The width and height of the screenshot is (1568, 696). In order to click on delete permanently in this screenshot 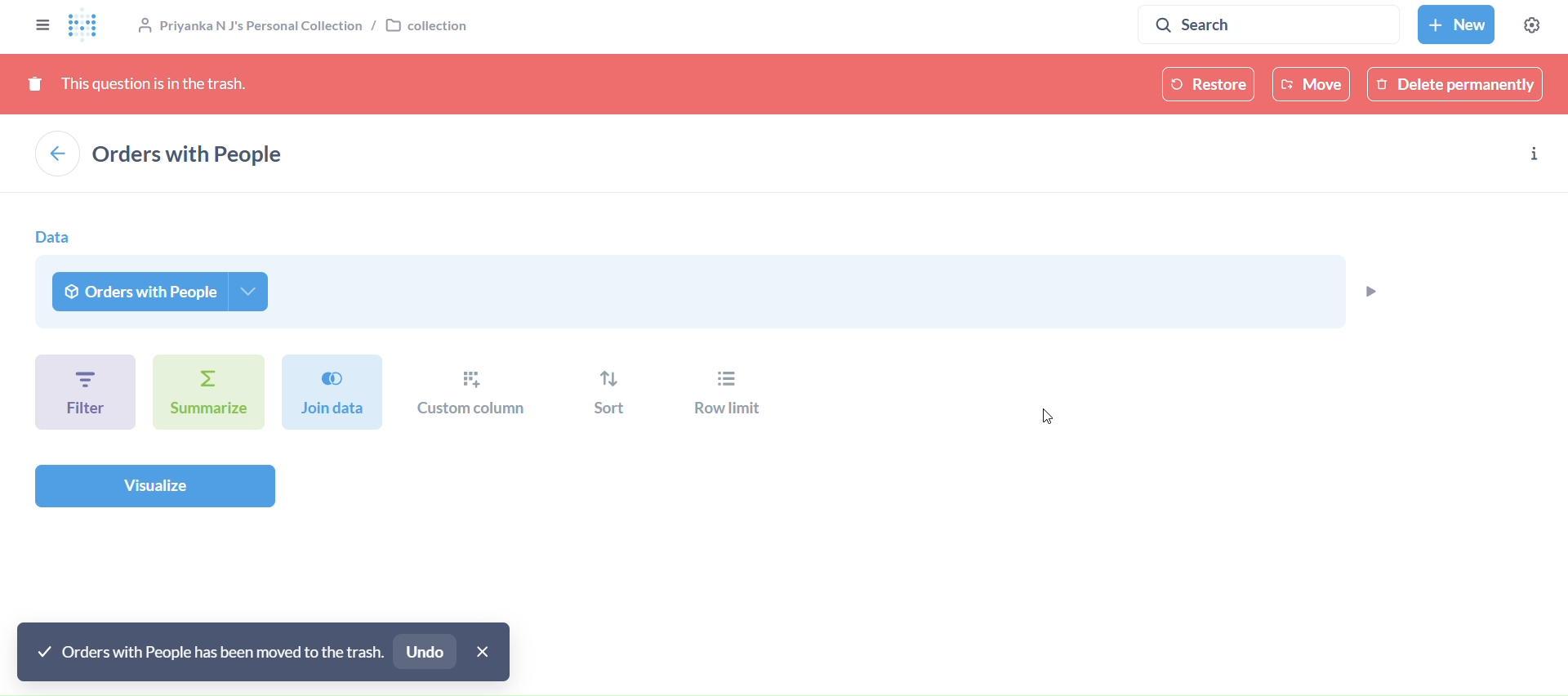, I will do `click(1456, 84)`.